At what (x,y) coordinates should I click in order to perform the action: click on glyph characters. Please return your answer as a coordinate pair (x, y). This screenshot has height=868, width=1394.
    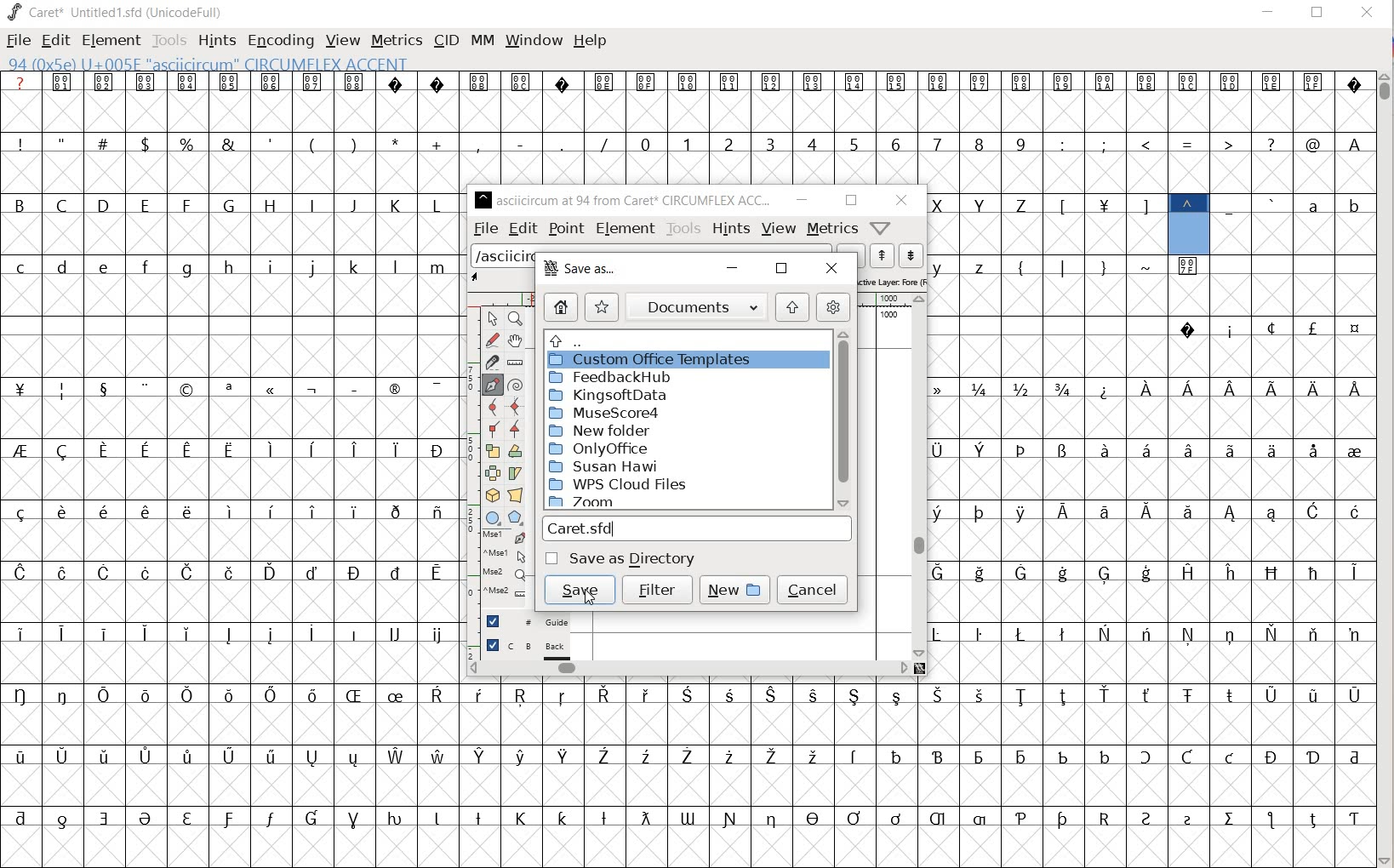
    Looking at the image, I should click on (920, 128).